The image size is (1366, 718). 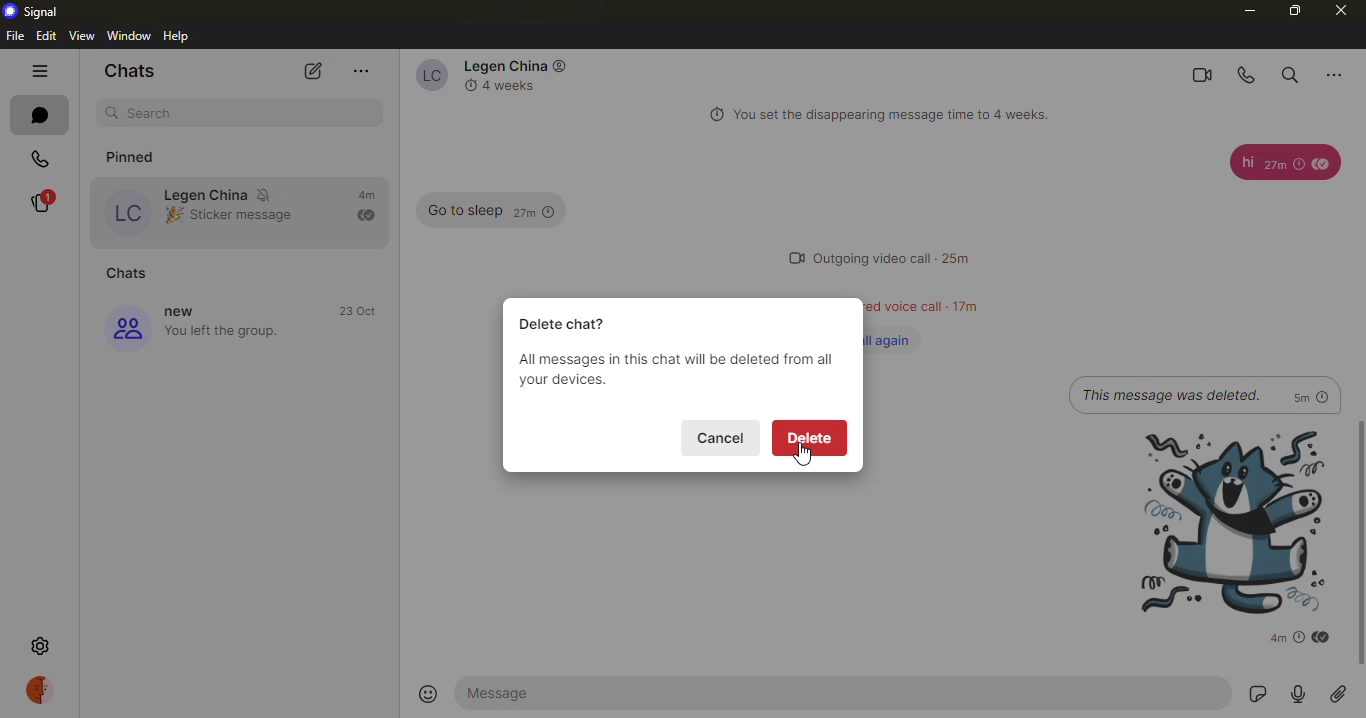 I want to click on time, so click(x=957, y=258).